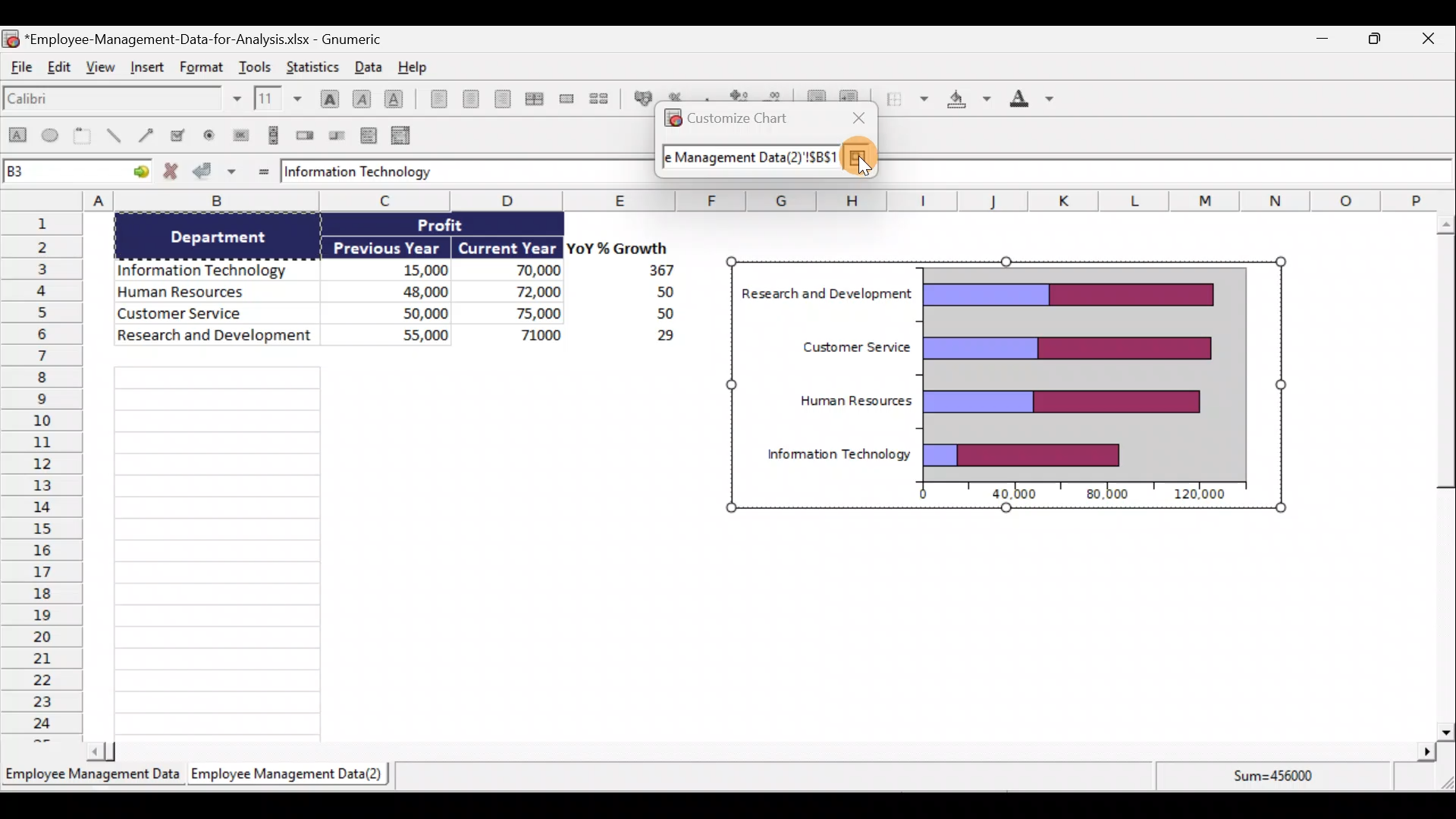 The height and width of the screenshot is (819, 1456). What do you see at coordinates (605, 100) in the screenshot?
I see `Split a merged range of cells` at bounding box center [605, 100].